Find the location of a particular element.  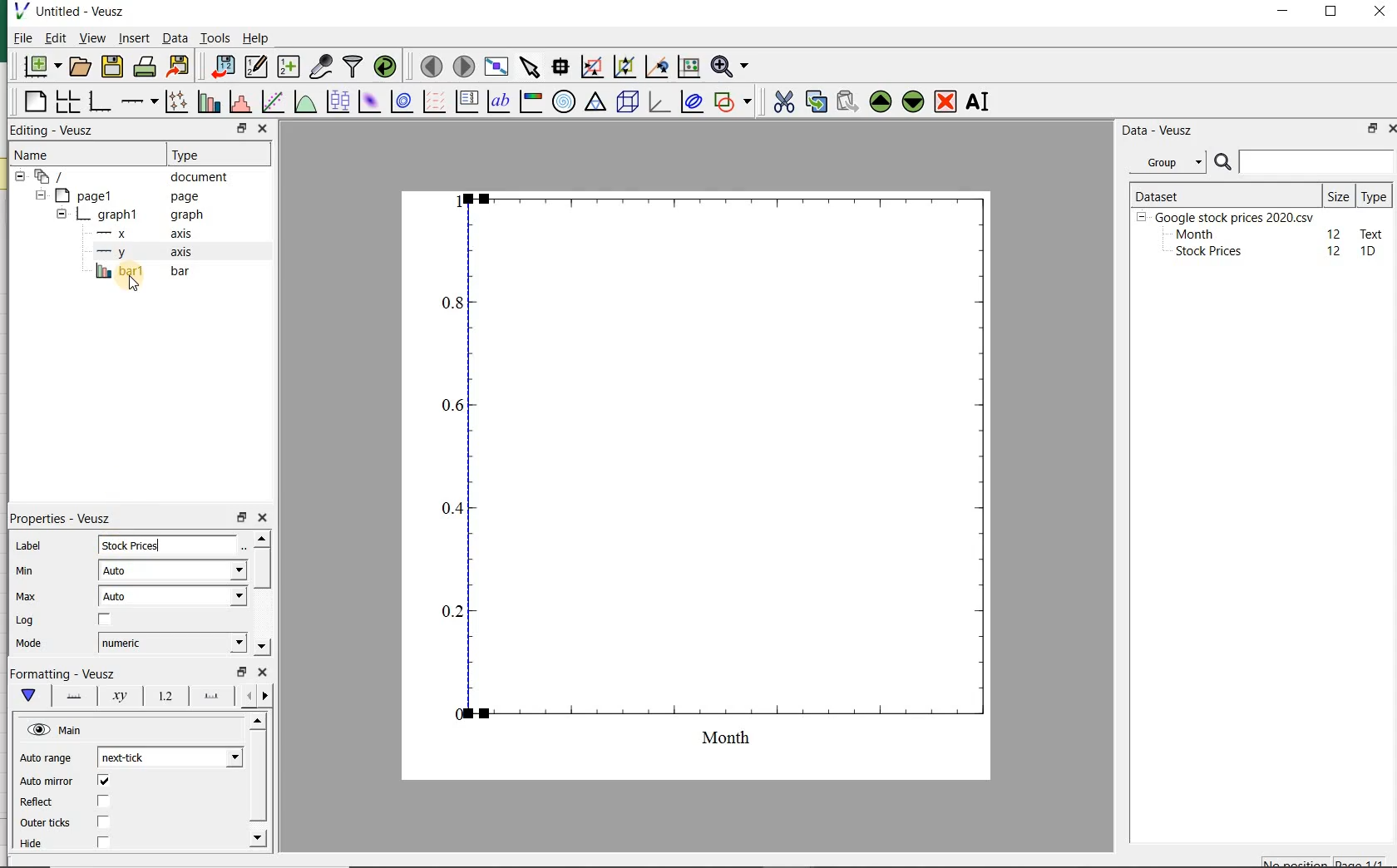

capture remote data is located at coordinates (321, 67).